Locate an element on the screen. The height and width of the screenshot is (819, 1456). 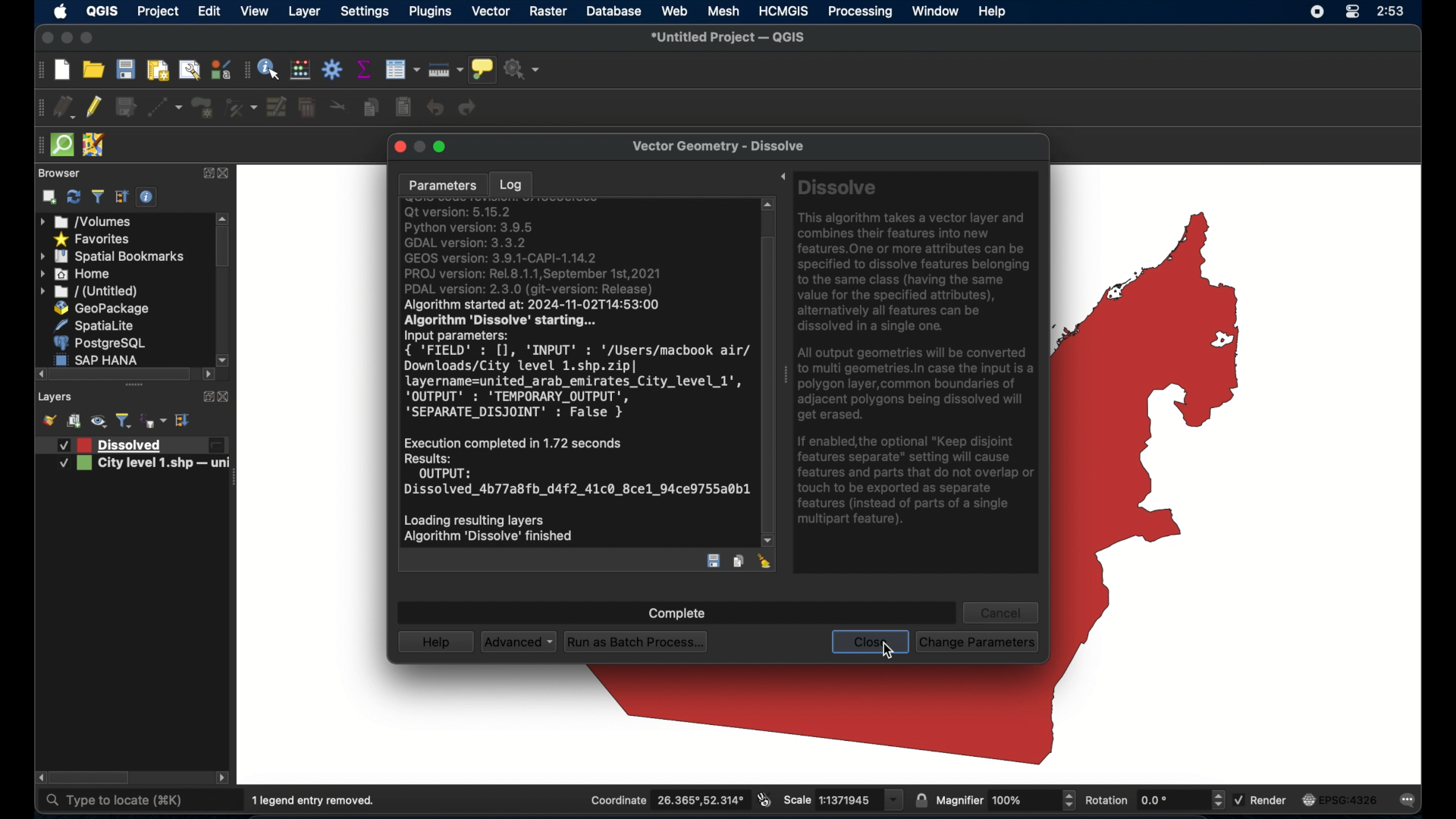
expand is located at coordinates (206, 171).